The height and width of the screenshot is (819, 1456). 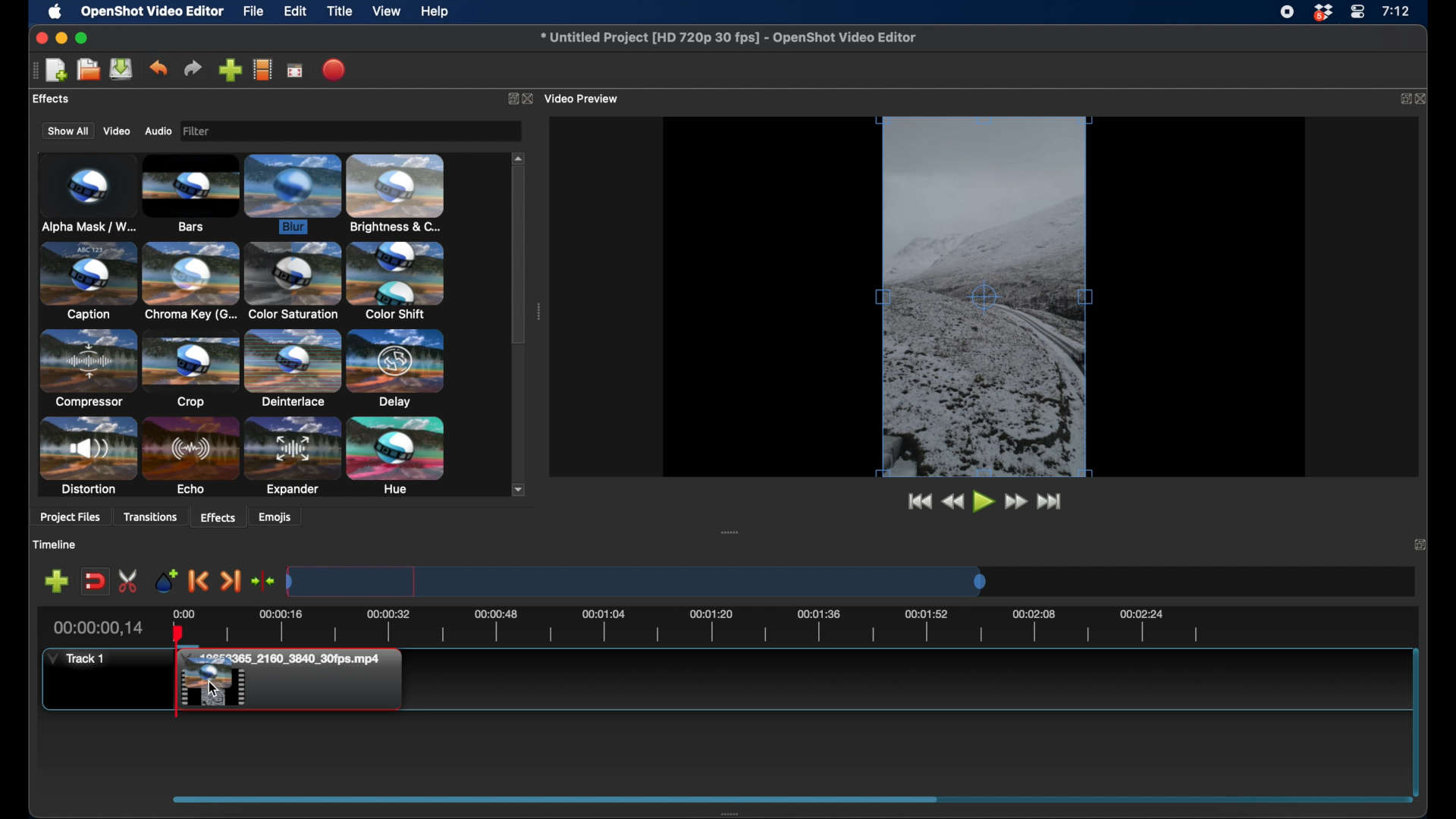 I want to click on redo, so click(x=193, y=68).